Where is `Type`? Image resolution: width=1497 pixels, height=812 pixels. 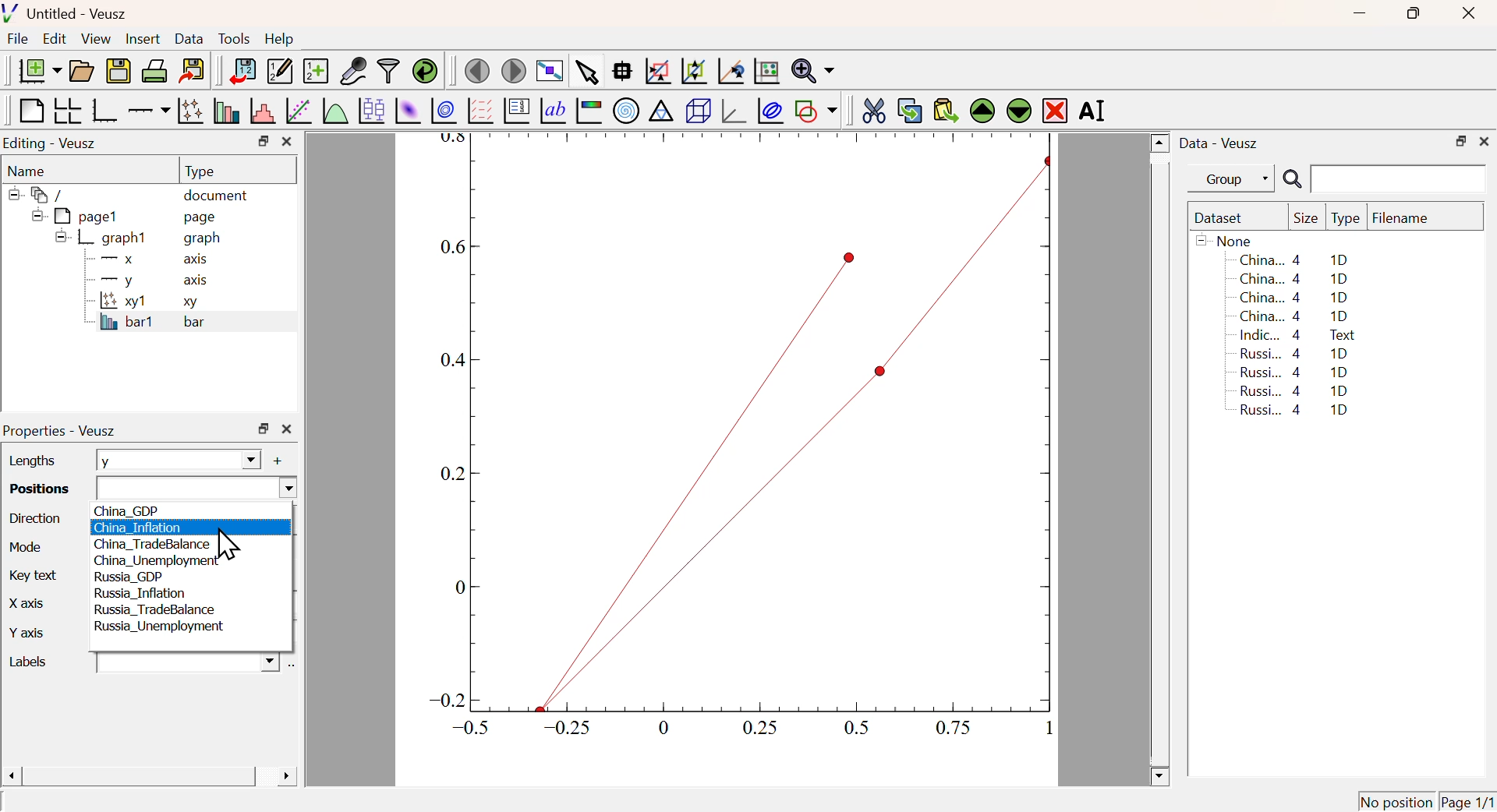
Type is located at coordinates (200, 171).